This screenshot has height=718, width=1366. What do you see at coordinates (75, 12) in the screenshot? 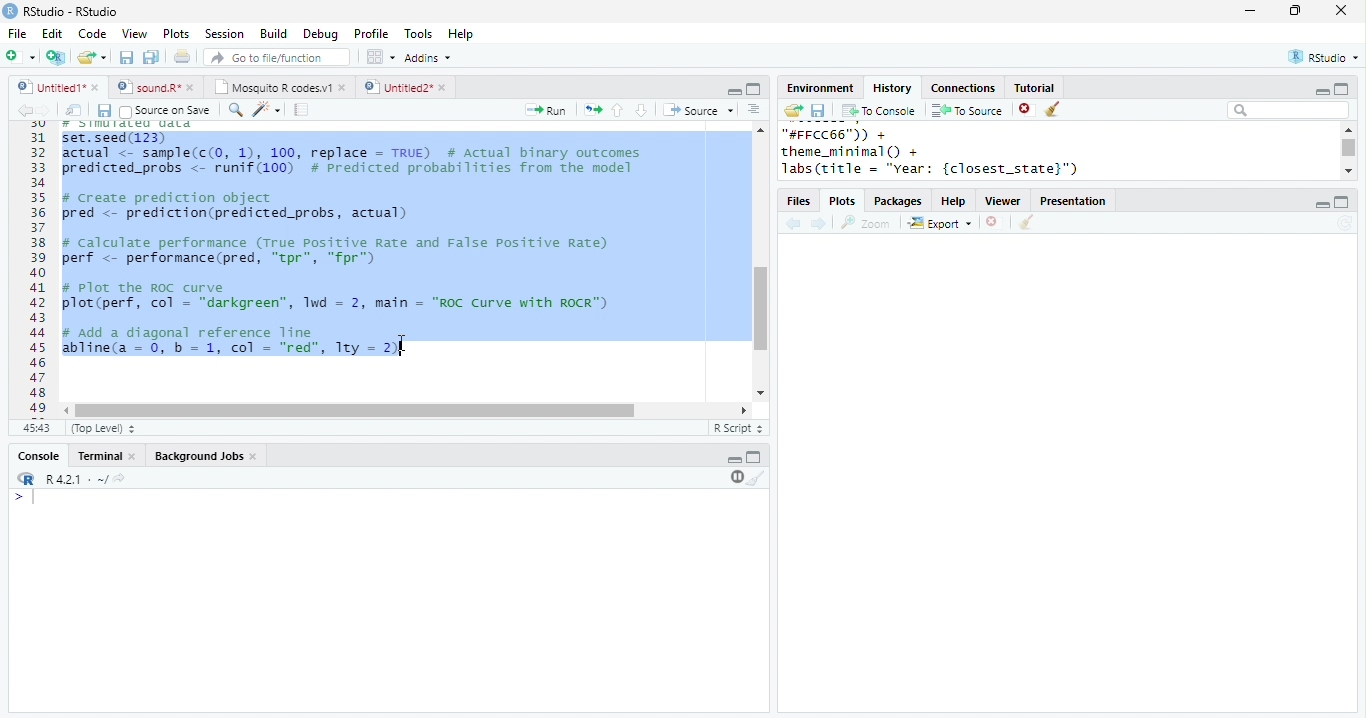
I see `RStudio-RStudio` at bounding box center [75, 12].